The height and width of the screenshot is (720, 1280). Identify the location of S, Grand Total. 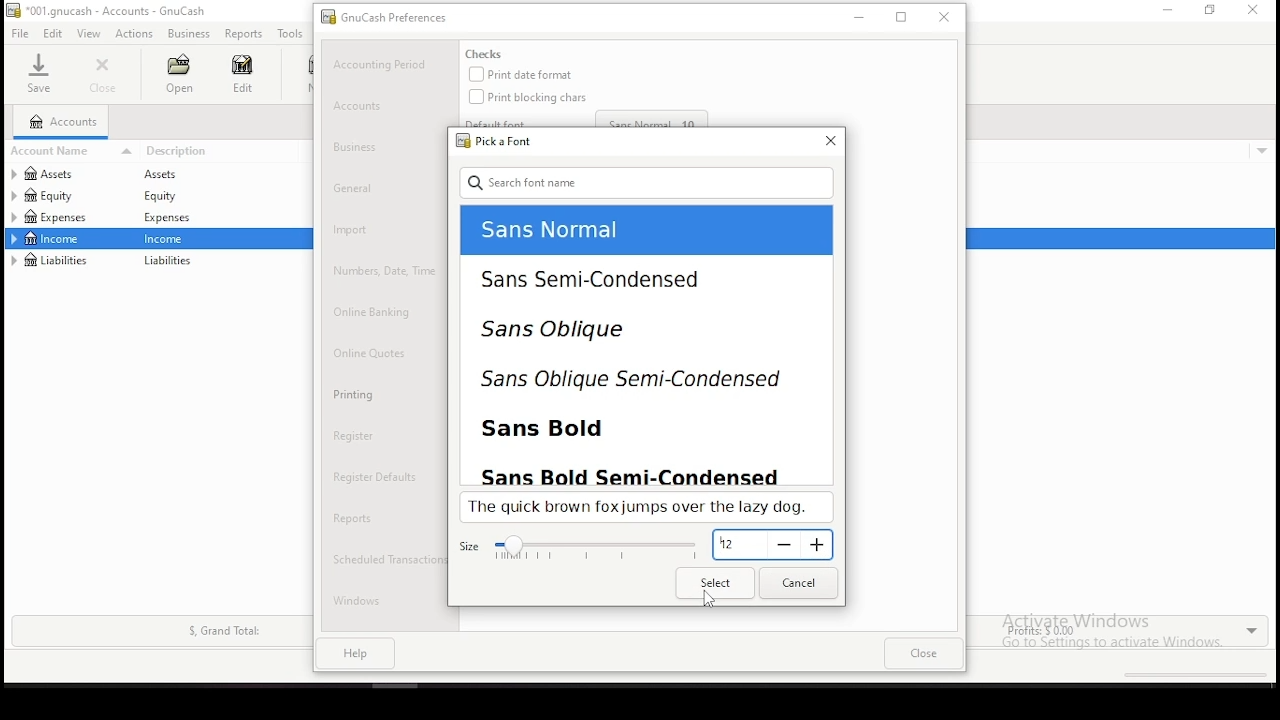
(222, 631).